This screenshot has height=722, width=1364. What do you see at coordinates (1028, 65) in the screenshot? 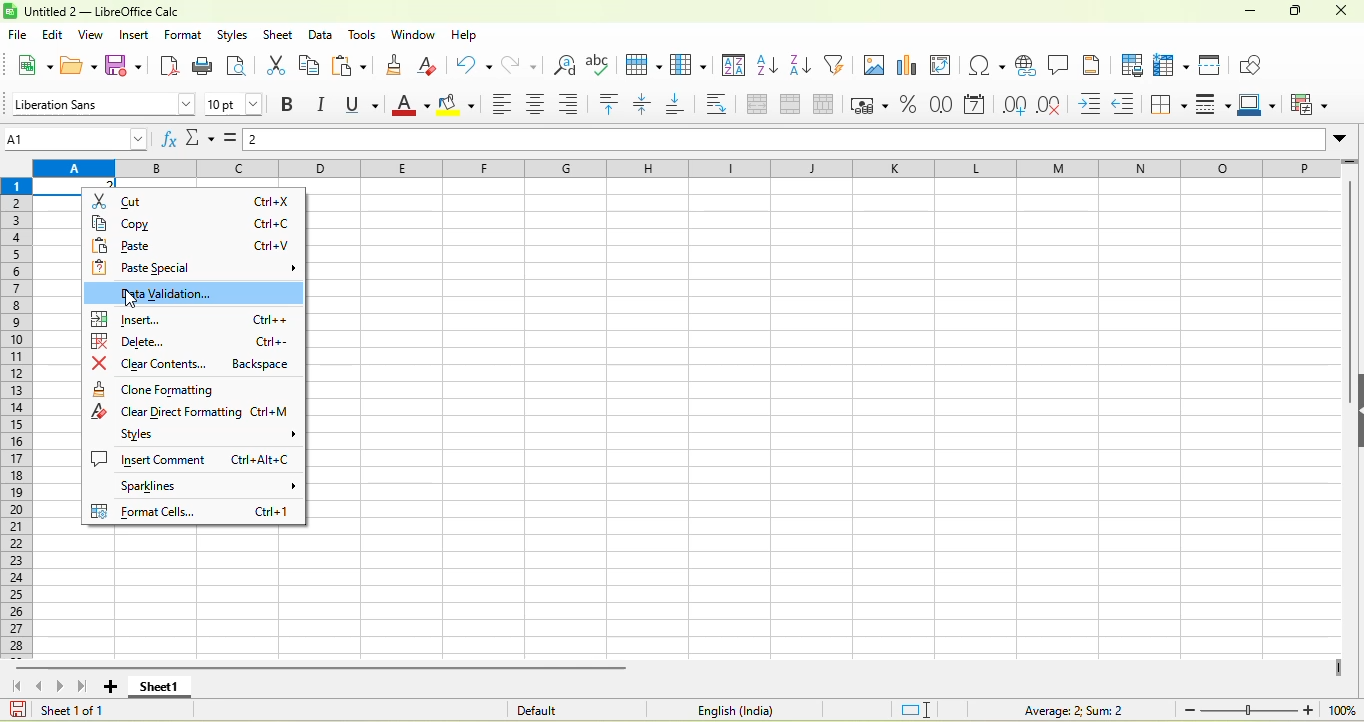
I see `hyperlink` at bounding box center [1028, 65].